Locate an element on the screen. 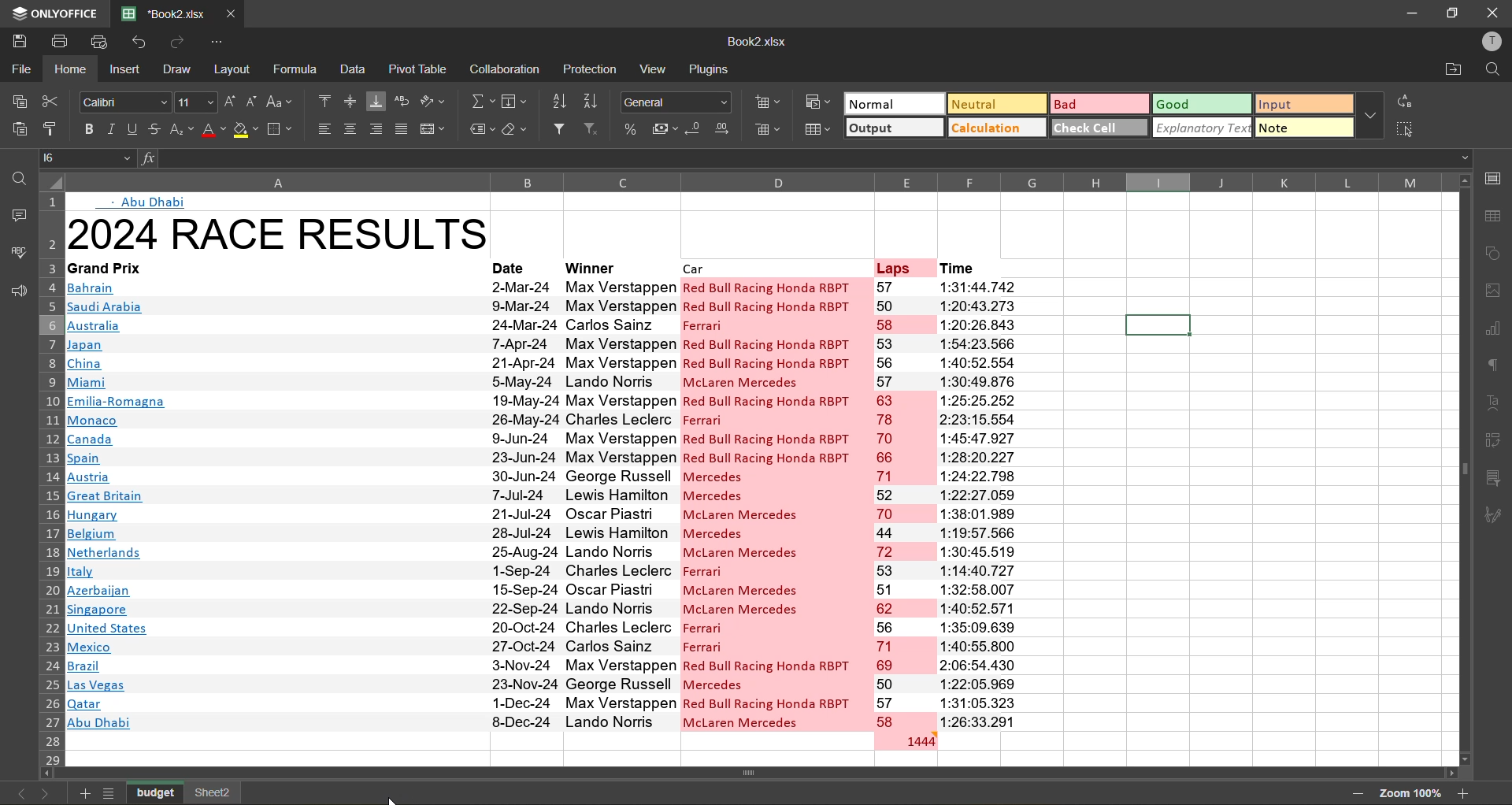  neutral is located at coordinates (995, 106).